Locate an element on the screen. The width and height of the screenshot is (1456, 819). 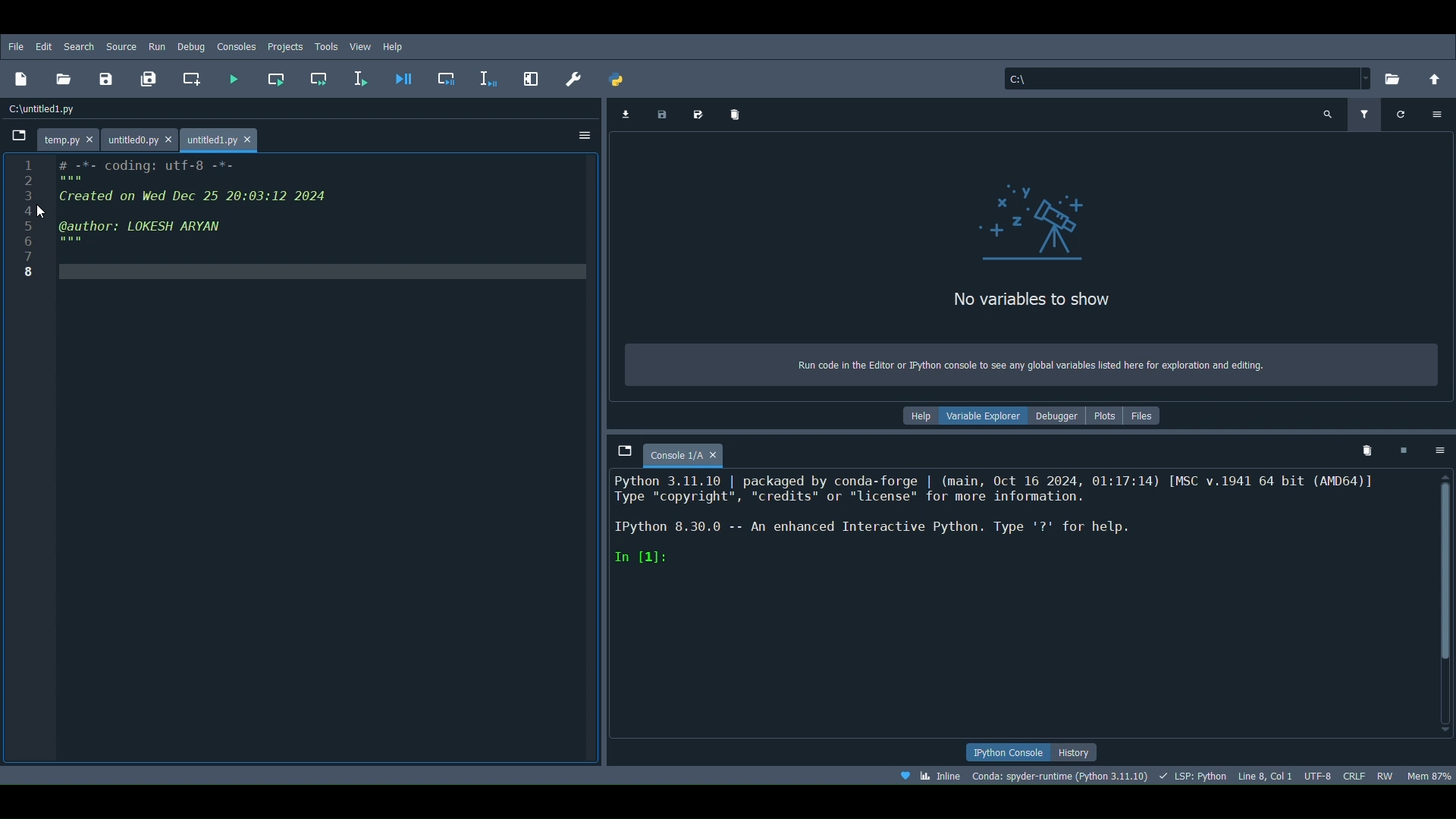
Completions, linting, code folding and symbols status. is located at coordinates (1194, 775).